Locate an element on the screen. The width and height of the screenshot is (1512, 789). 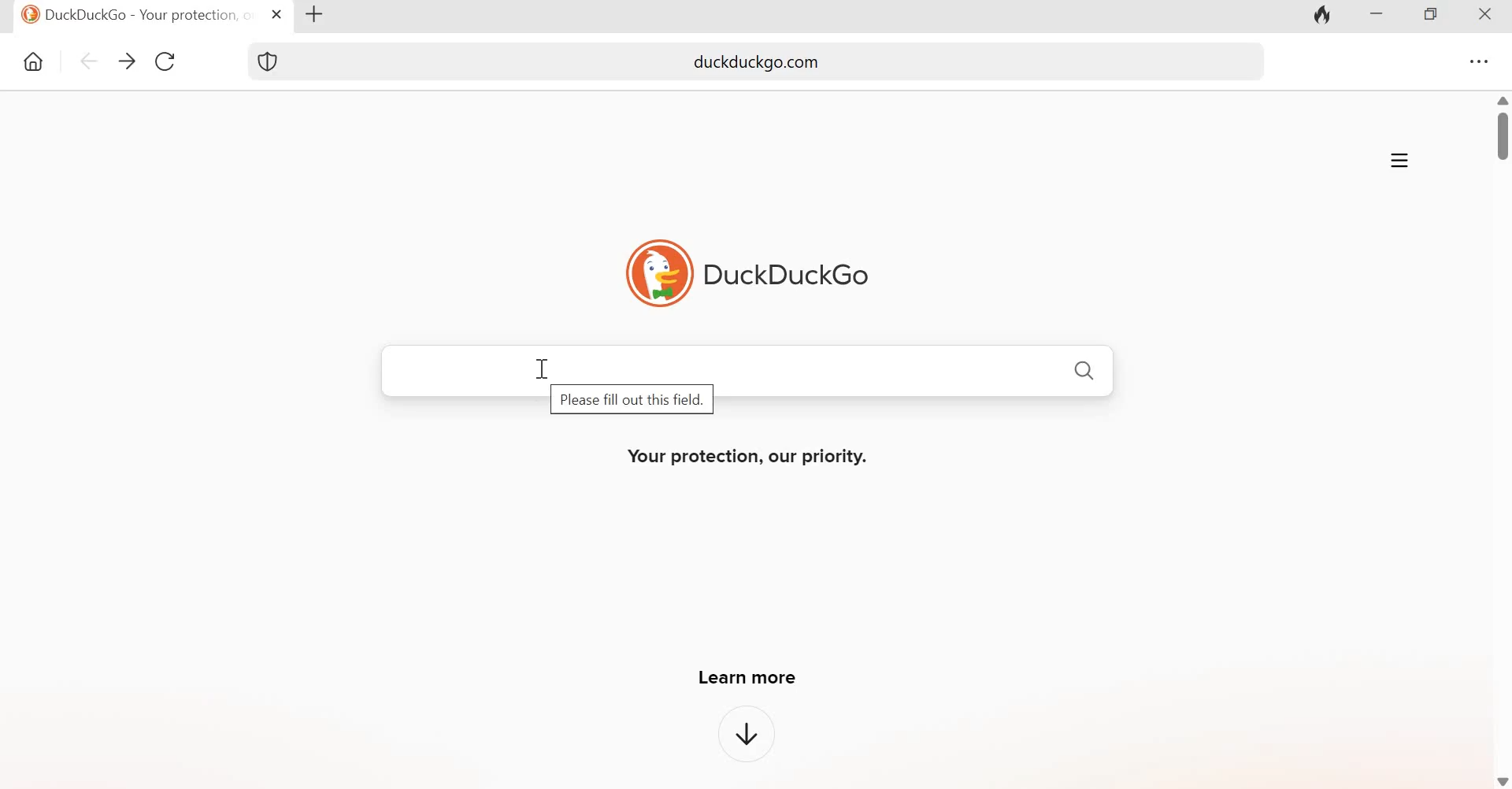
logo is located at coordinates (660, 273).